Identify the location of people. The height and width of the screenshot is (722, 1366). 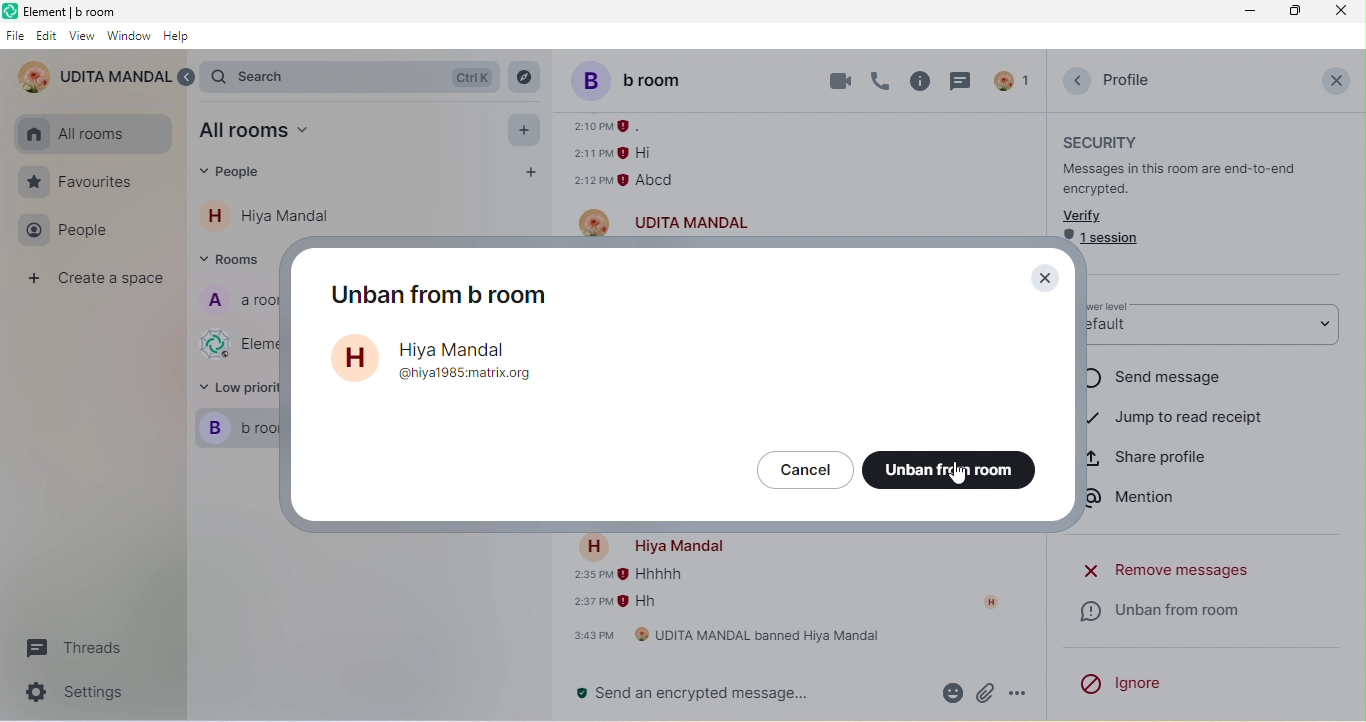
(239, 174).